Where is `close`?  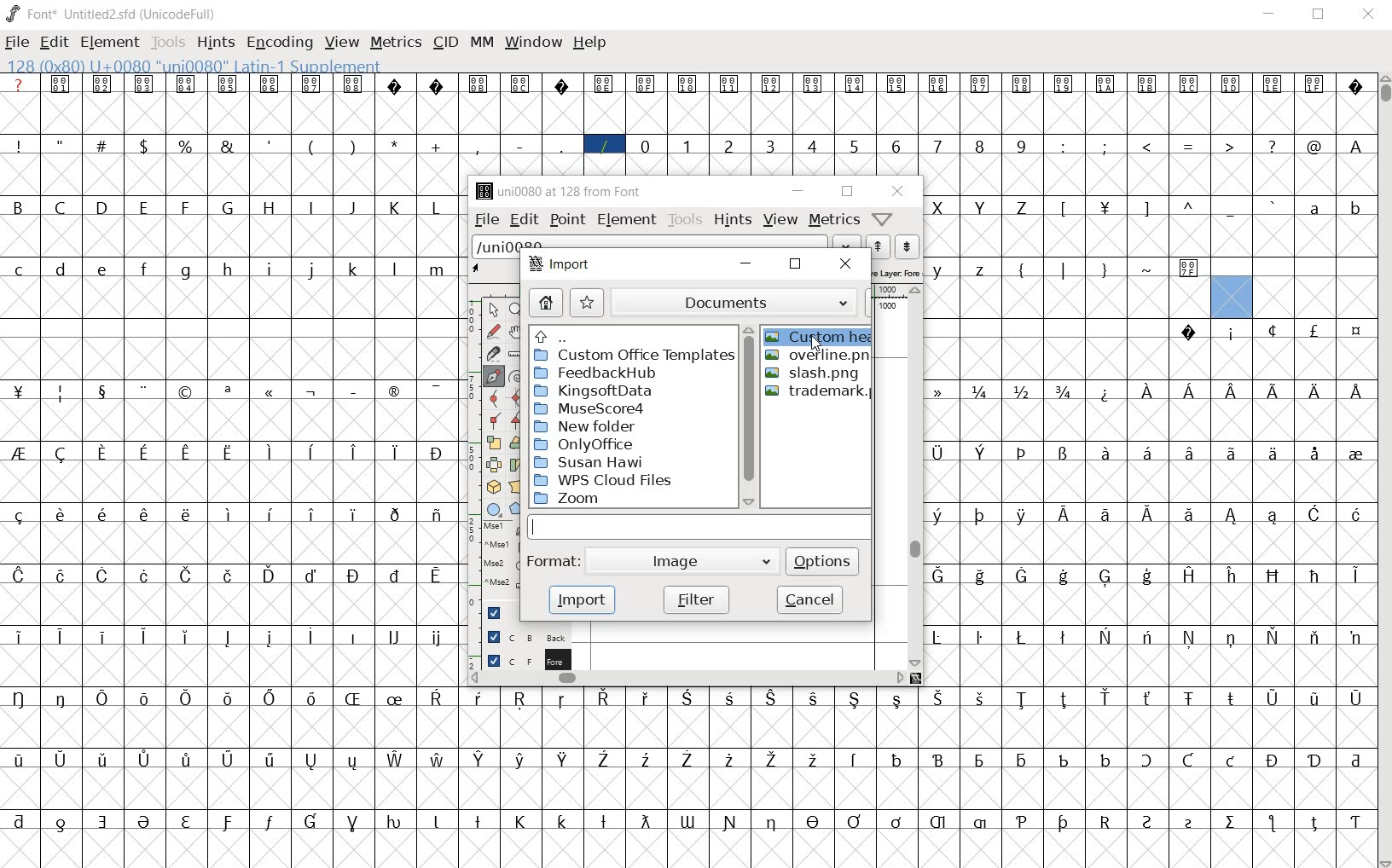 close is located at coordinates (796, 265).